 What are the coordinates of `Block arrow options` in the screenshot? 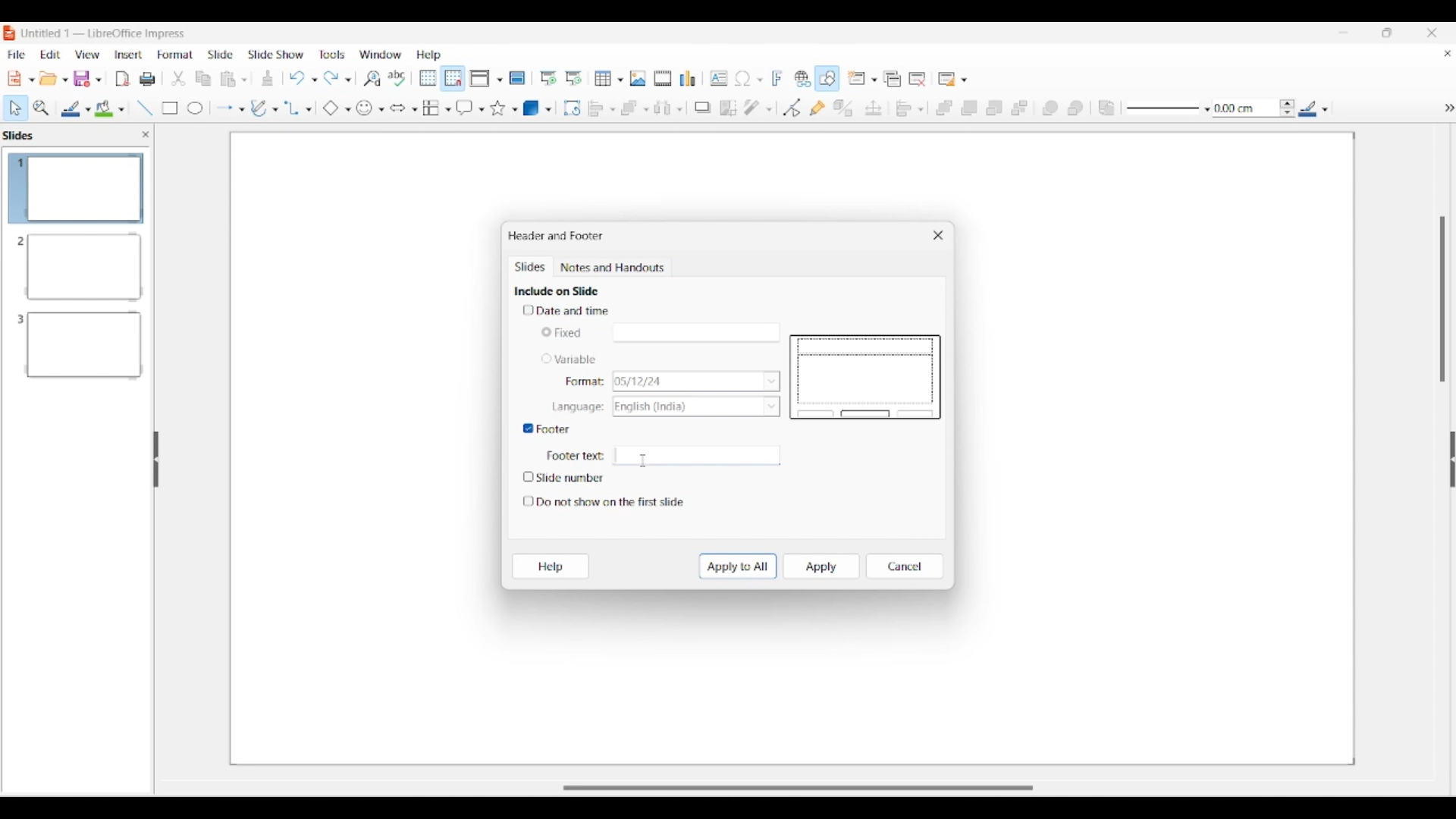 It's located at (404, 108).